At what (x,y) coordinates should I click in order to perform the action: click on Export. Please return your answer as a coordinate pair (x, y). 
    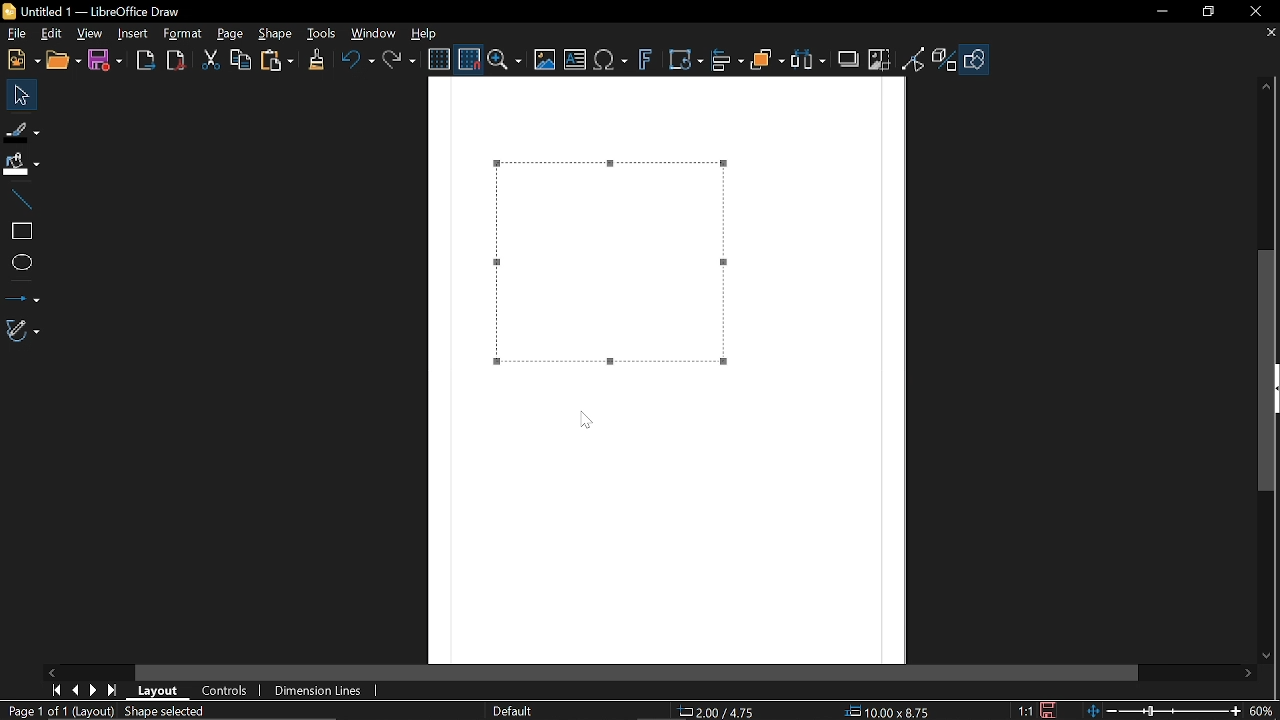
    Looking at the image, I should click on (146, 62).